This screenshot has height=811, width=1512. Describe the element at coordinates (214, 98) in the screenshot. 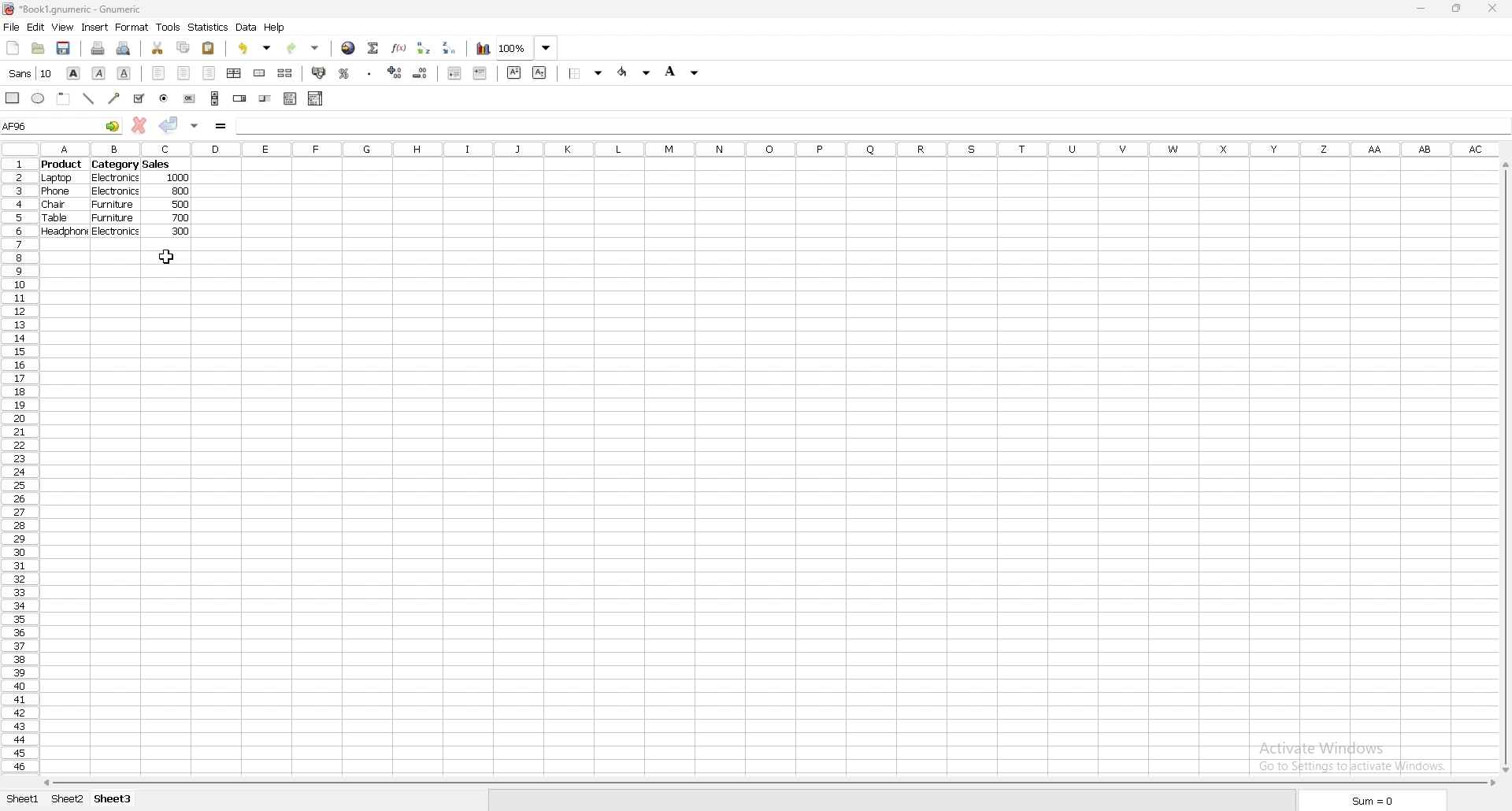

I see `scroll bar` at that location.